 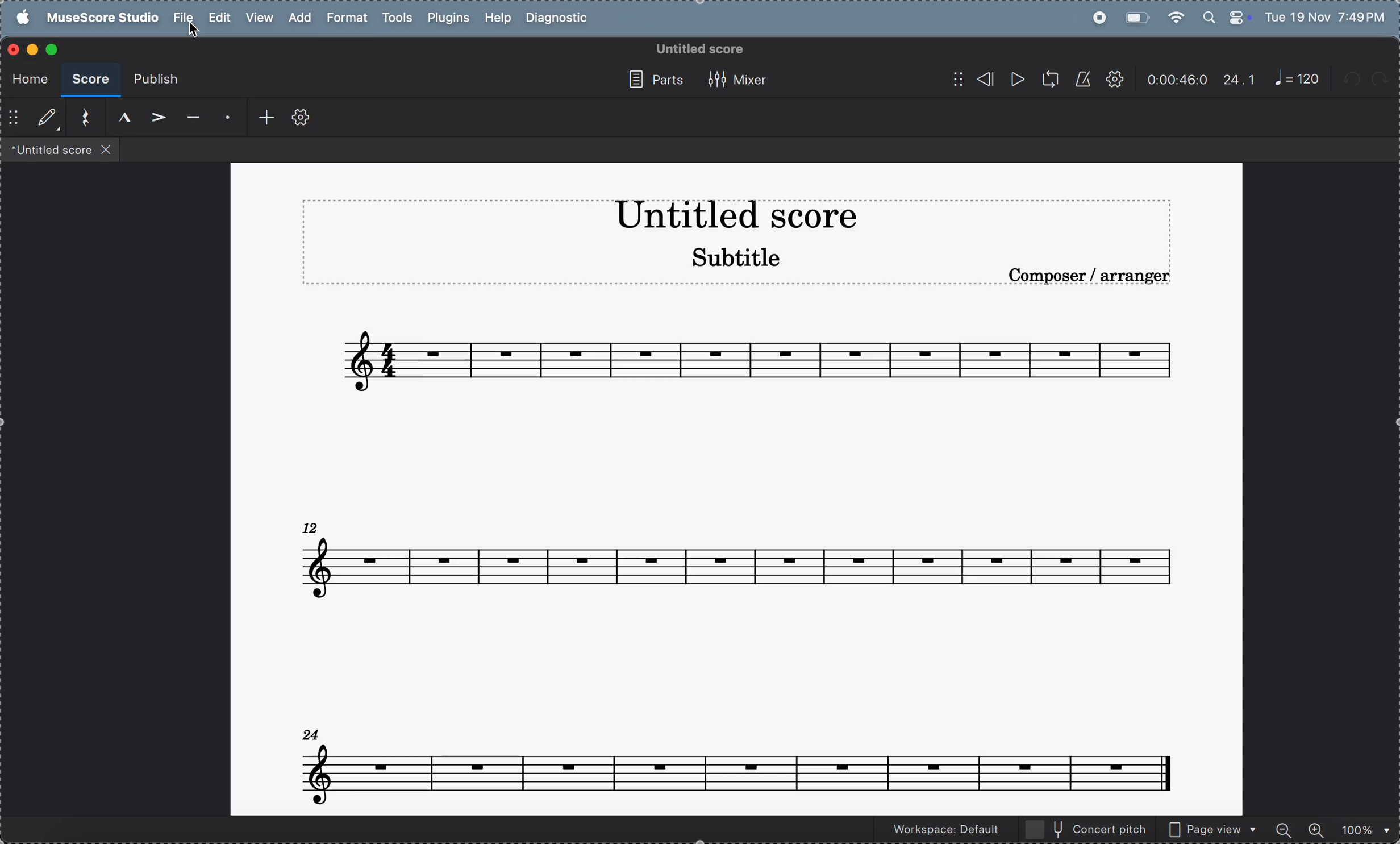 I want to click on apple widgets, so click(x=1226, y=16).